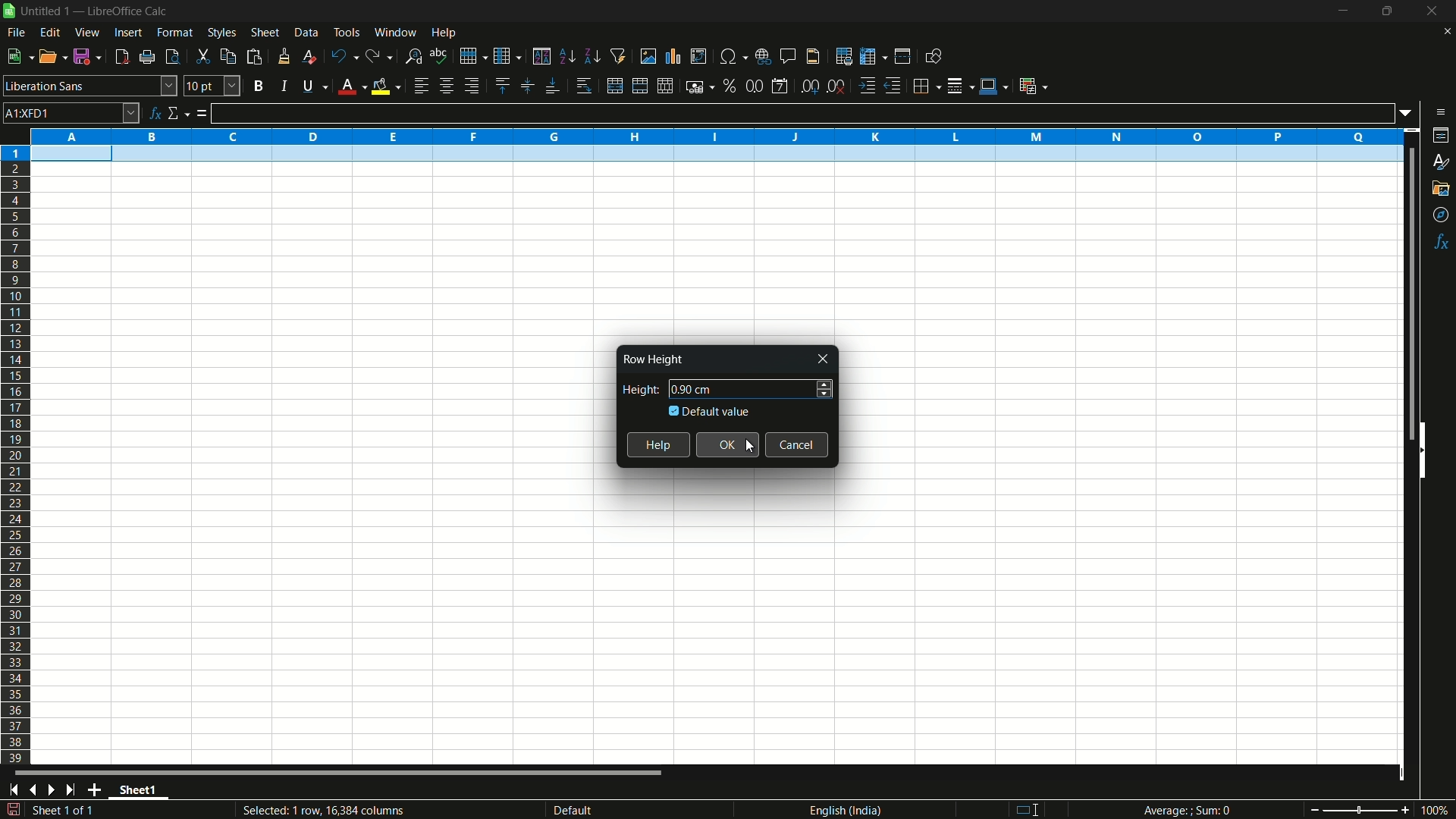  I want to click on selected row, so click(711, 155).